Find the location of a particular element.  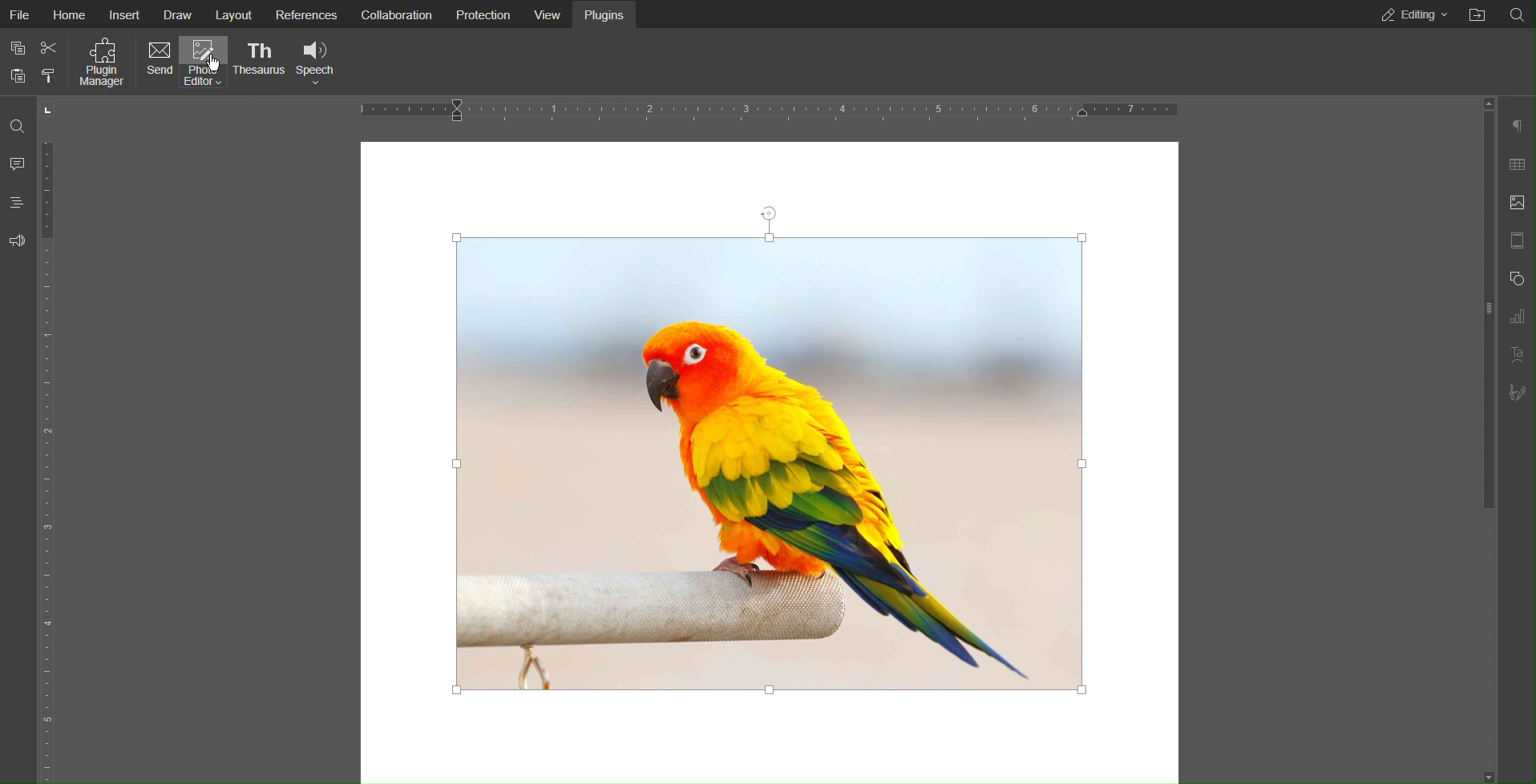

Open File Location is located at coordinates (1477, 15).